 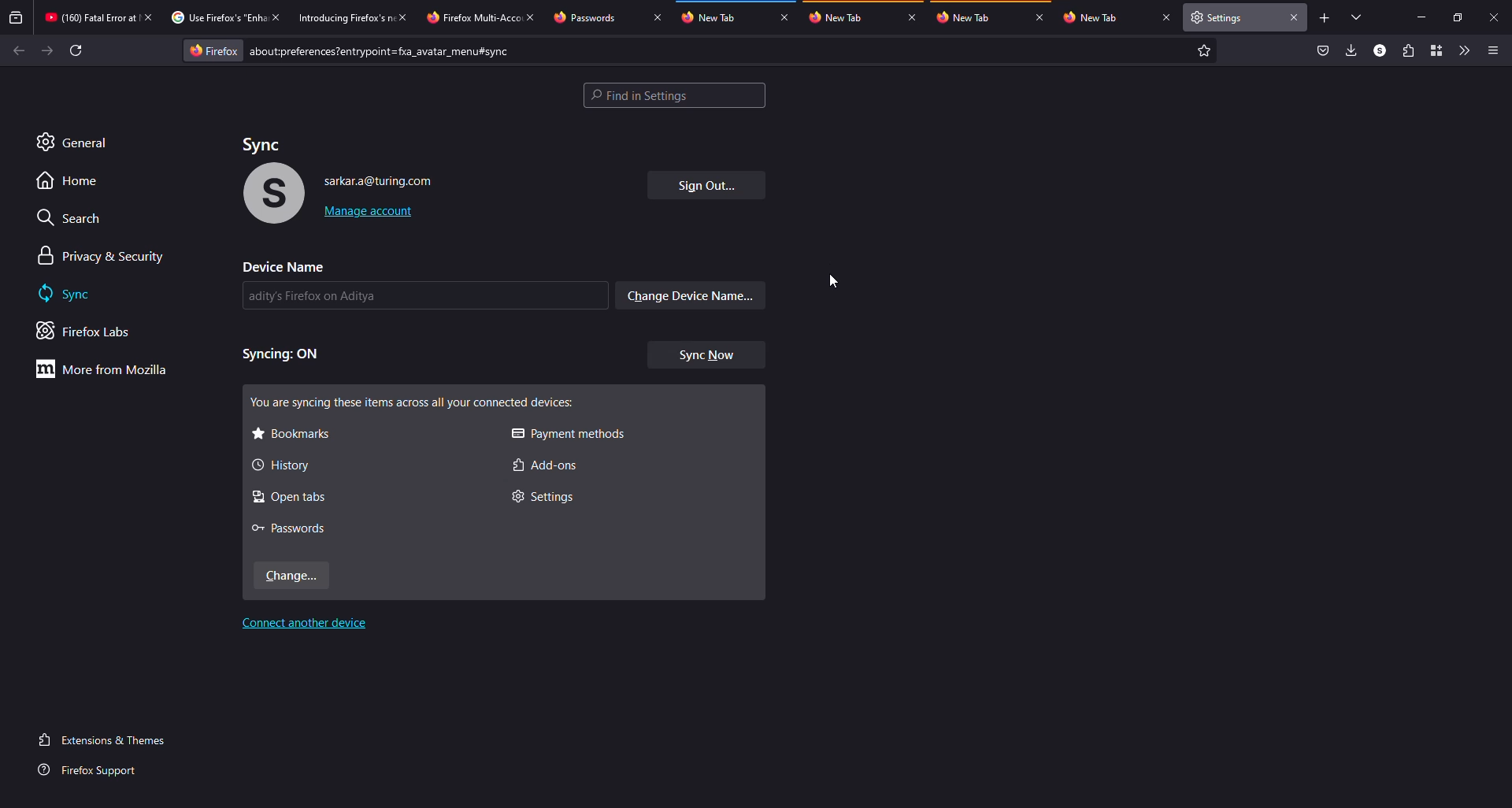 I want to click on close, so click(x=1168, y=17).